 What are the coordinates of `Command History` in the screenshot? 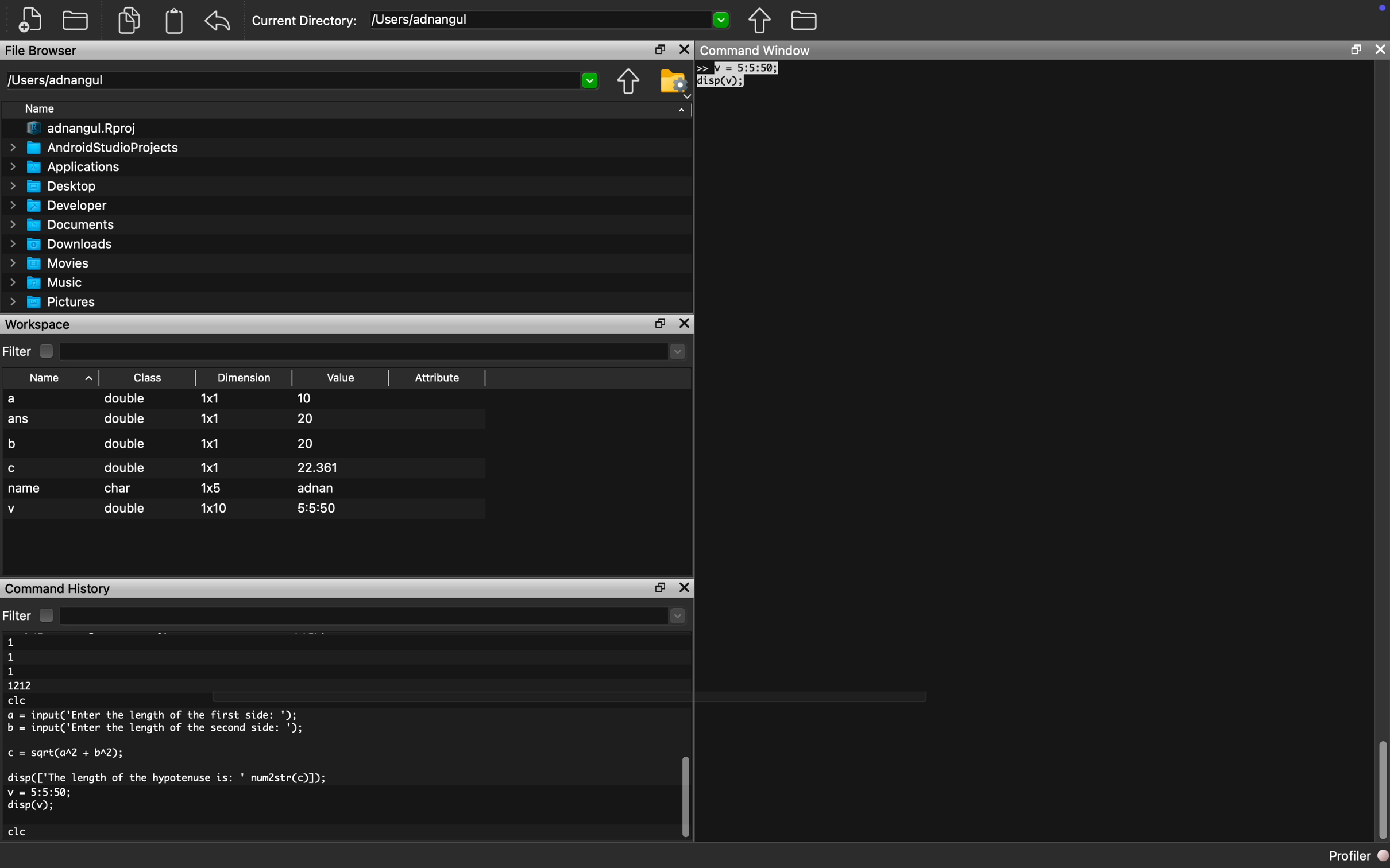 It's located at (59, 588).